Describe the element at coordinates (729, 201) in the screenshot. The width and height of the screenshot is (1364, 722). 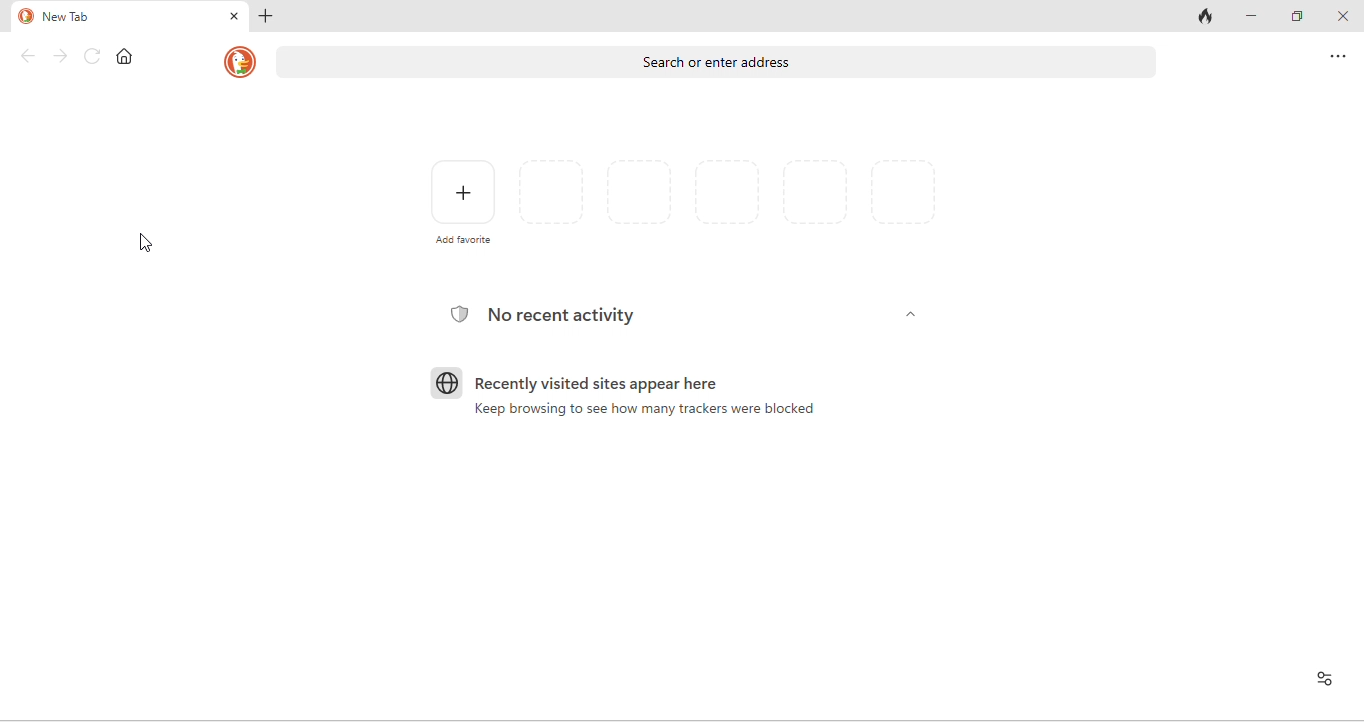
I see `favorites` at that location.